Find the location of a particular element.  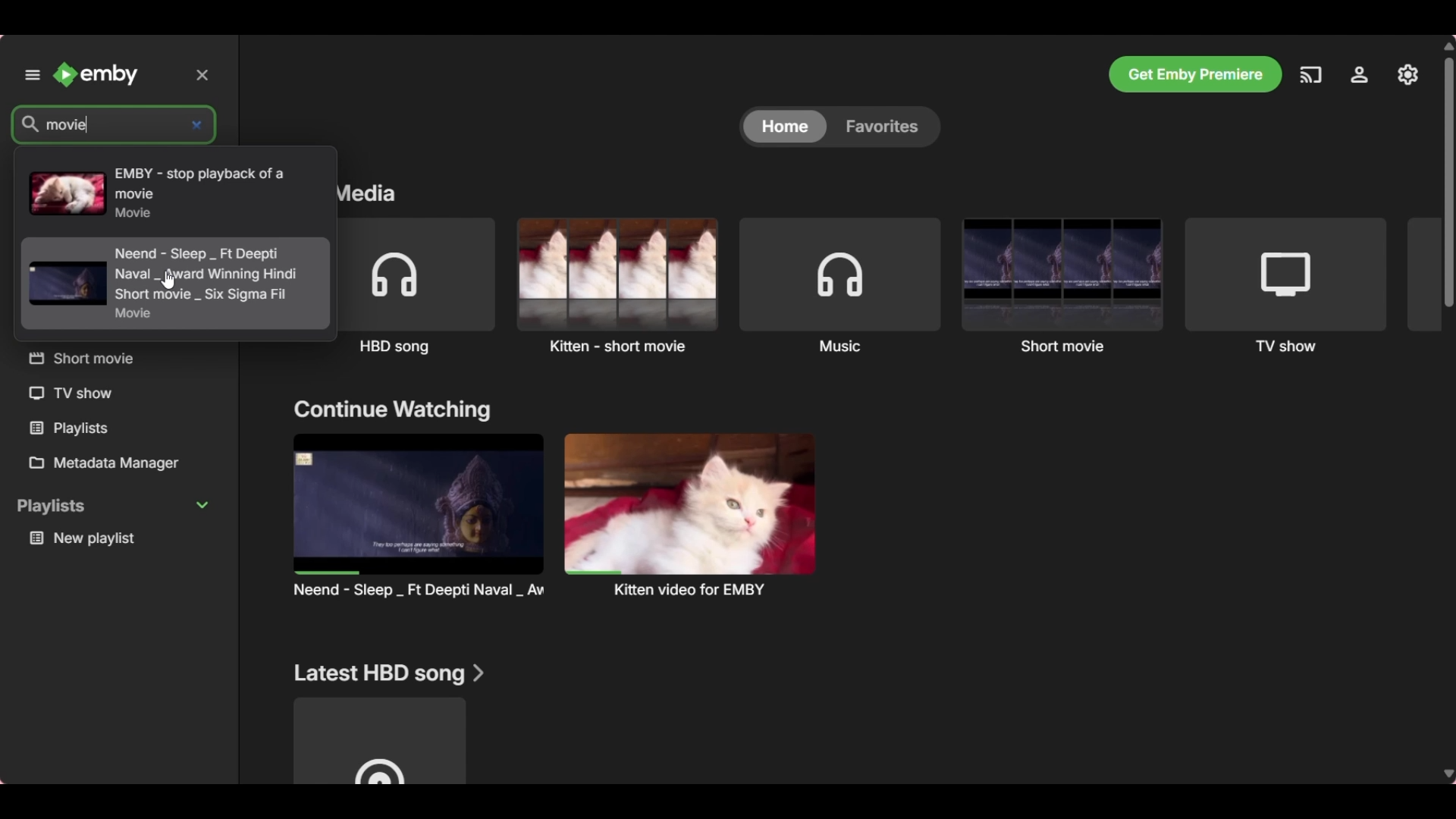

Unpin left panel is located at coordinates (33, 74).